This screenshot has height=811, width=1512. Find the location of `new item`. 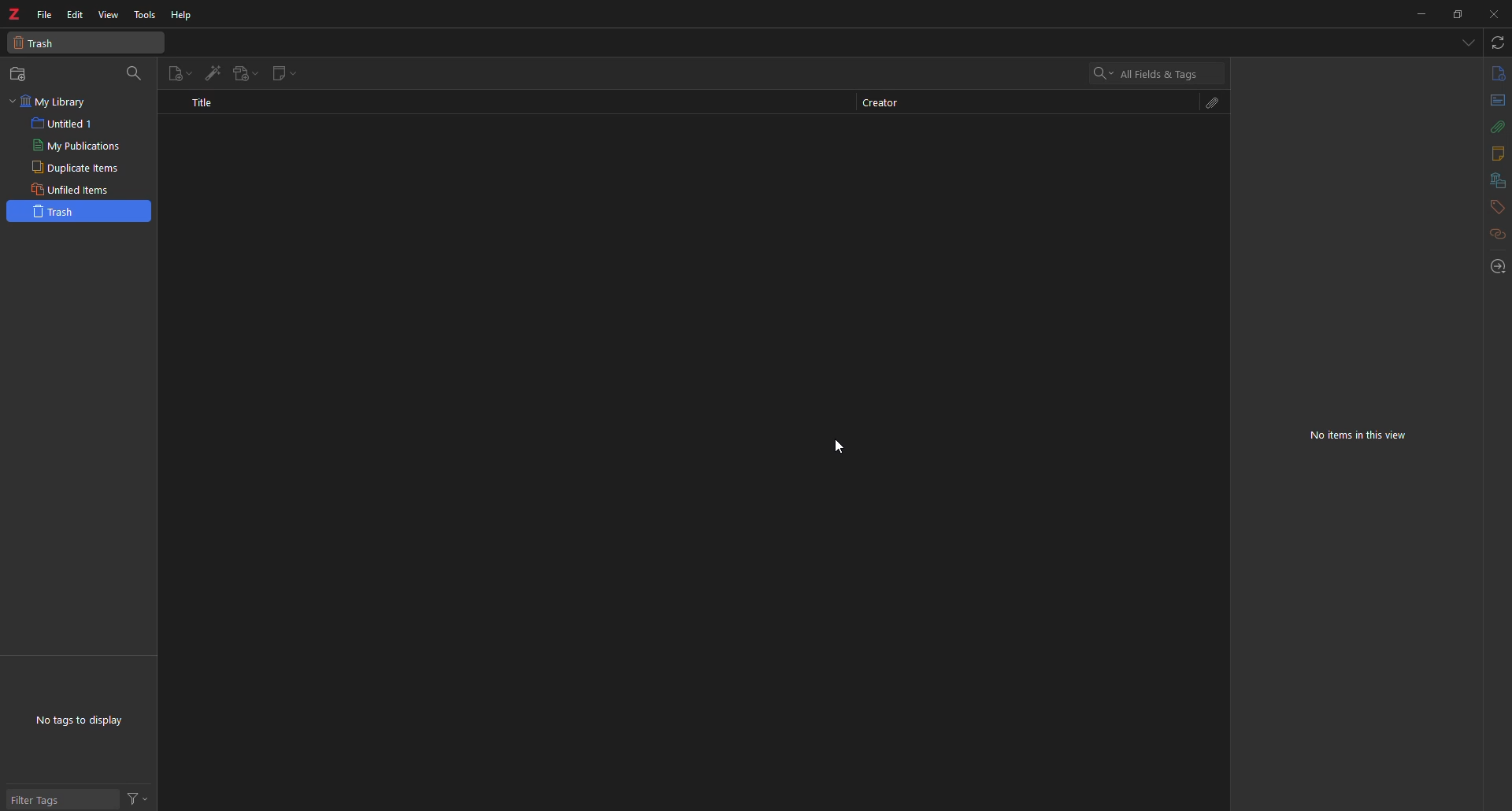

new item is located at coordinates (180, 72).